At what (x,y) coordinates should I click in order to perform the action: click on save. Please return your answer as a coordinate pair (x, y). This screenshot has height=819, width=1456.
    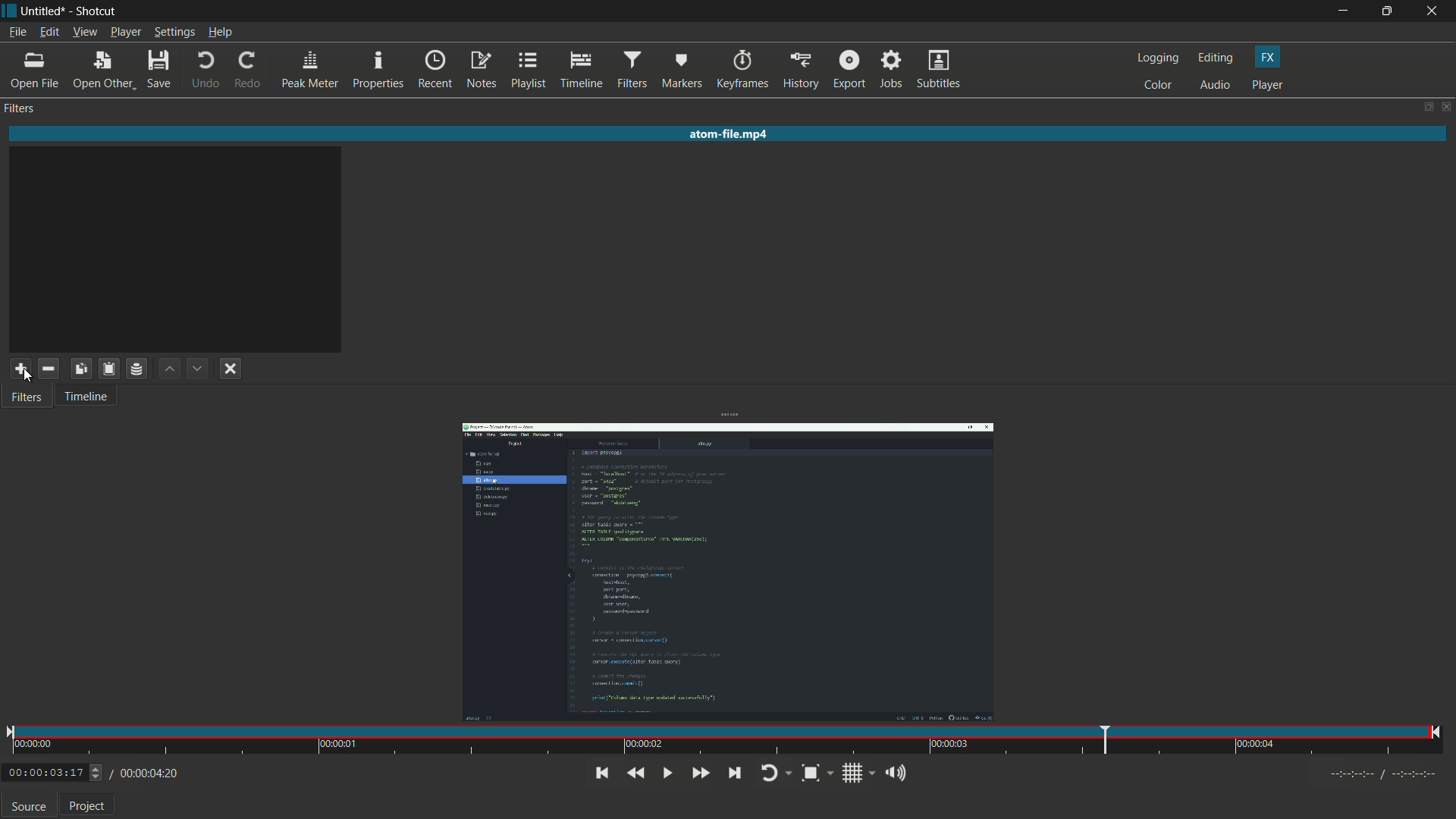
    Looking at the image, I should click on (158, 71).